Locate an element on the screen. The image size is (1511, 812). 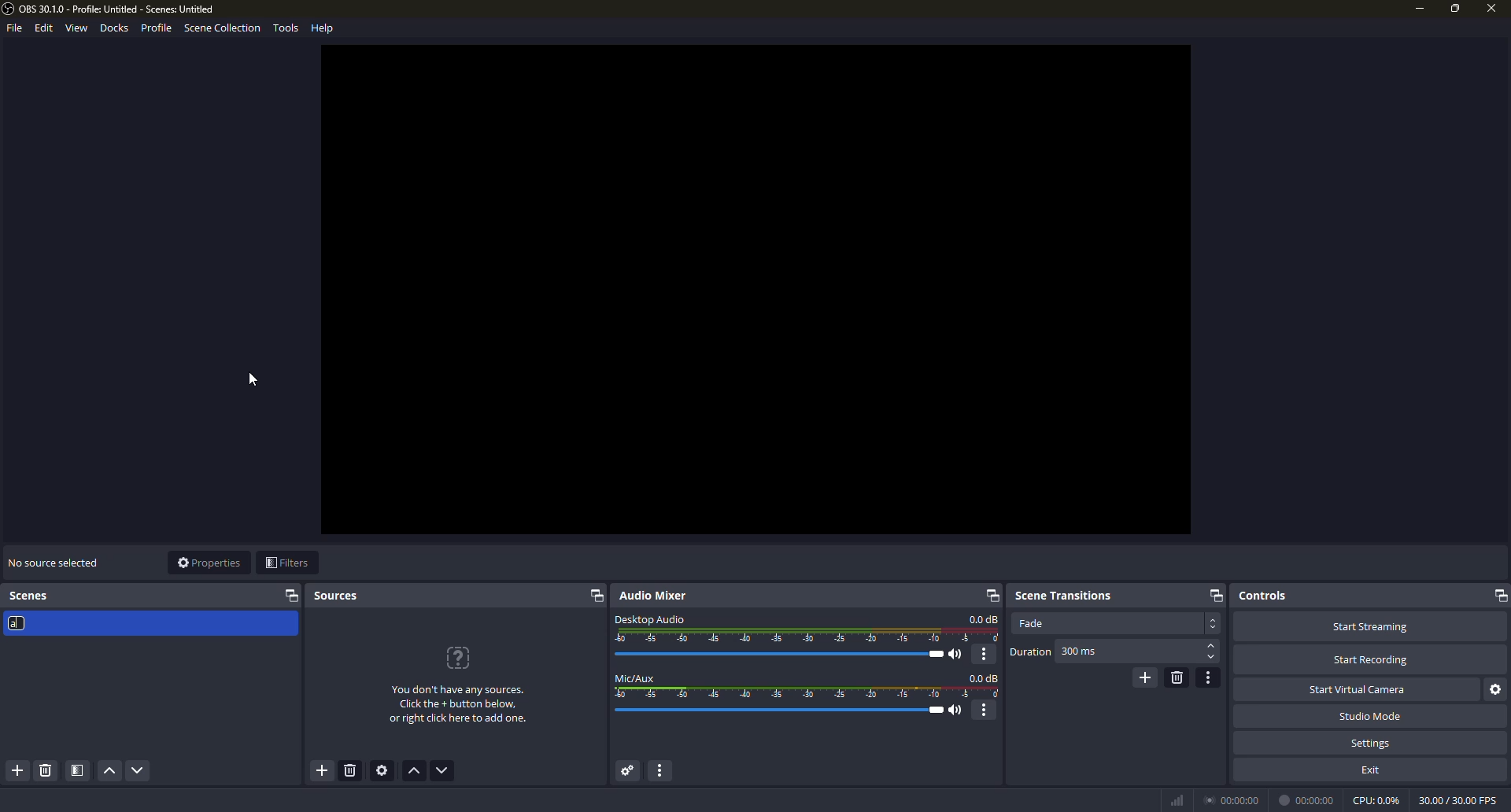
sources is located at coordinates (338, 596).